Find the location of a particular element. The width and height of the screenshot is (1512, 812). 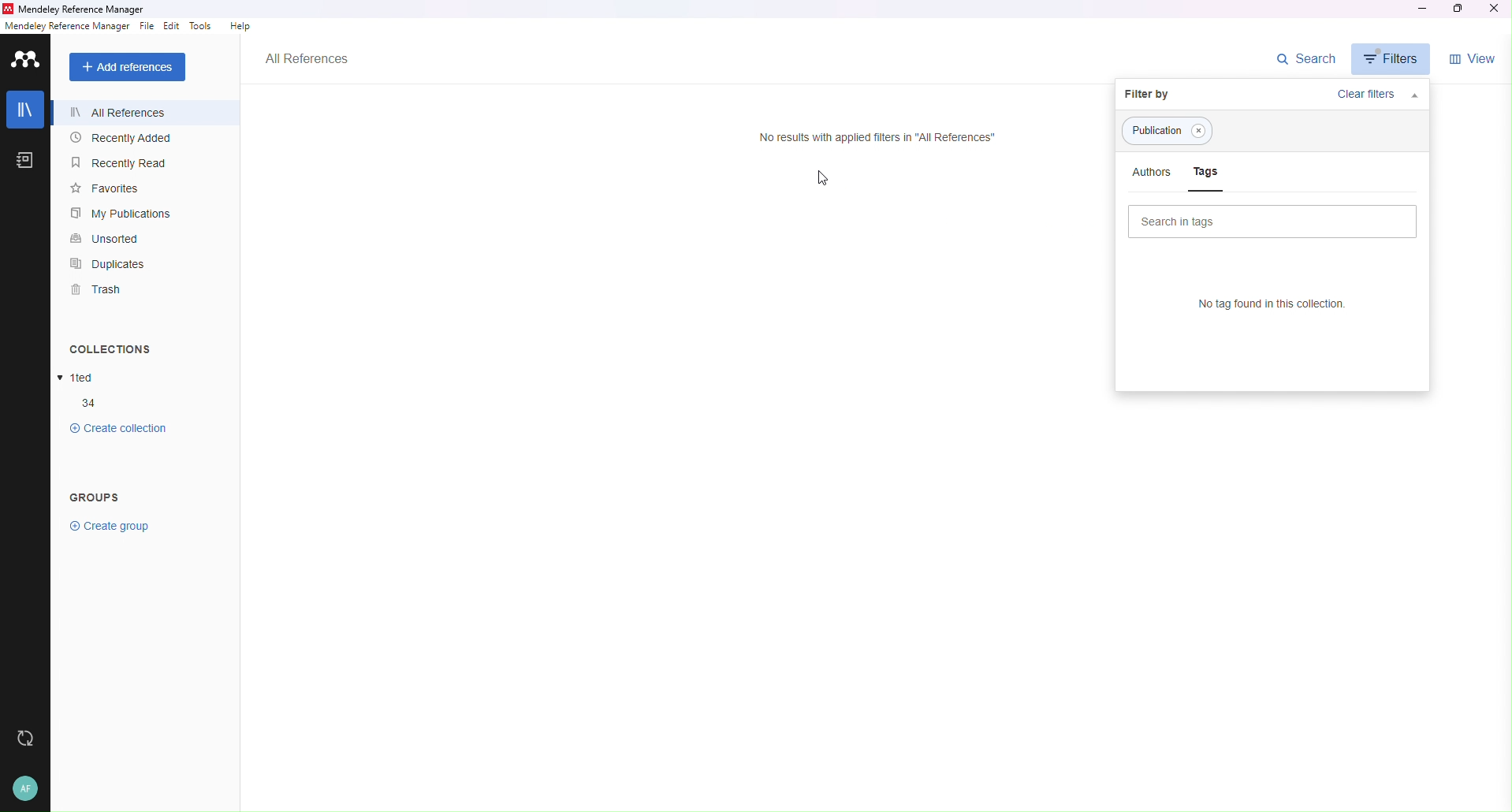

Mendeley Reference Manager is located at coordinates (87, 8).